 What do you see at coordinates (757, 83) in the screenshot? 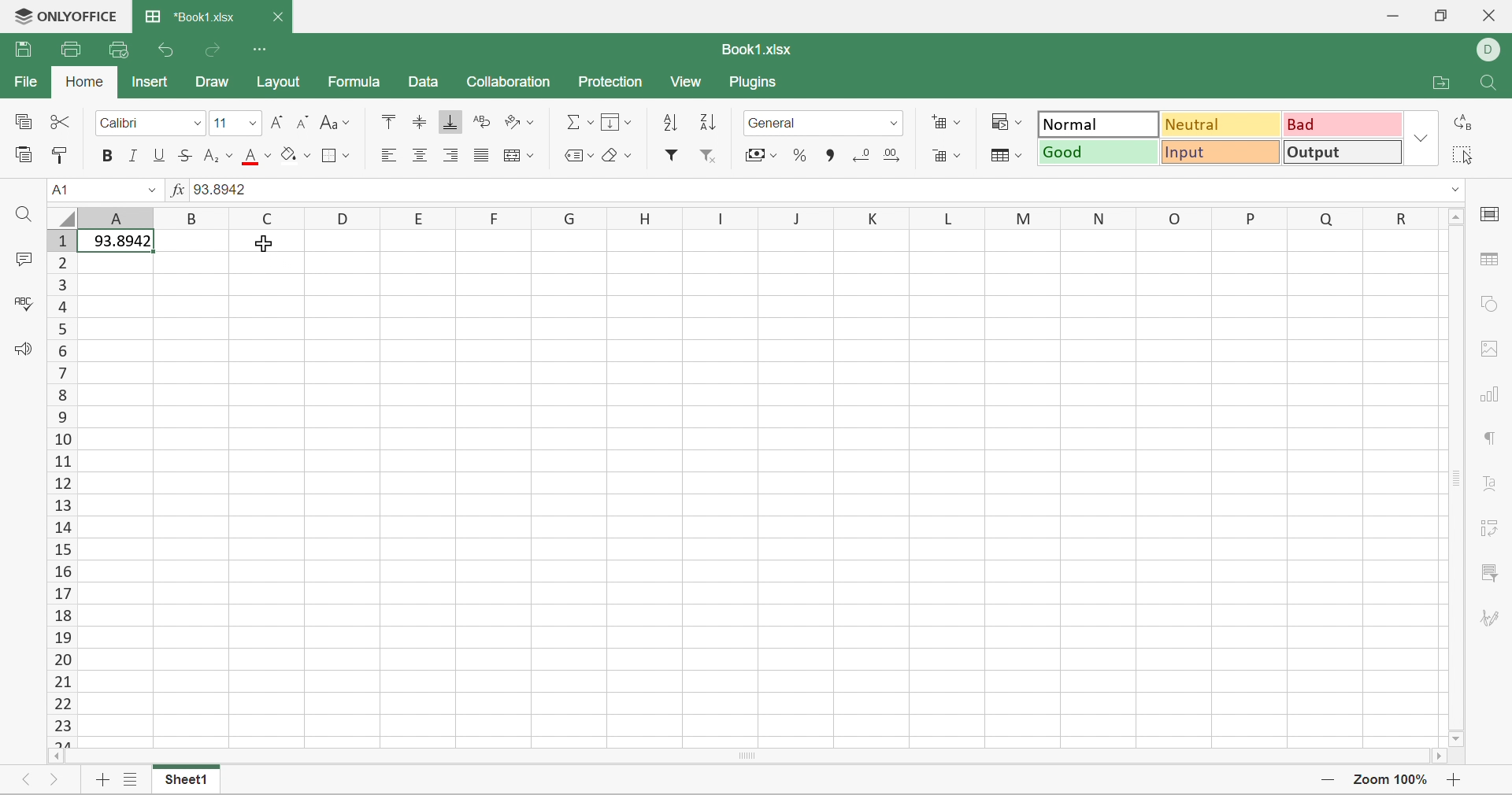
I see `Plugins` at bounding box center [757, 83].